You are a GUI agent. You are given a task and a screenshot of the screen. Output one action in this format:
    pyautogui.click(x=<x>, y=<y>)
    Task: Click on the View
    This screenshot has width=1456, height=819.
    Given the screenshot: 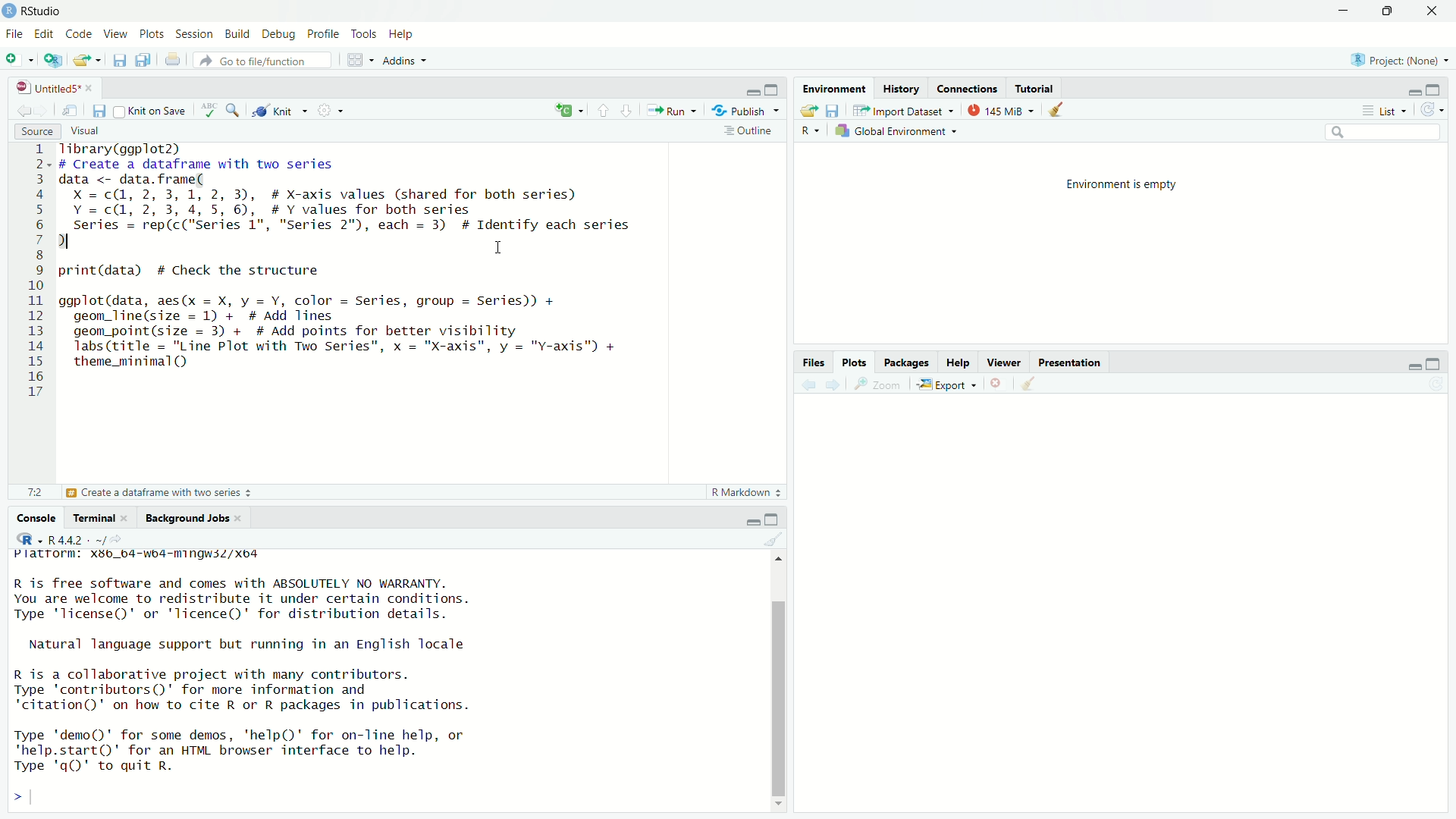 What is the action you would take?
    pyautogui.click(x=117, y=36)
    